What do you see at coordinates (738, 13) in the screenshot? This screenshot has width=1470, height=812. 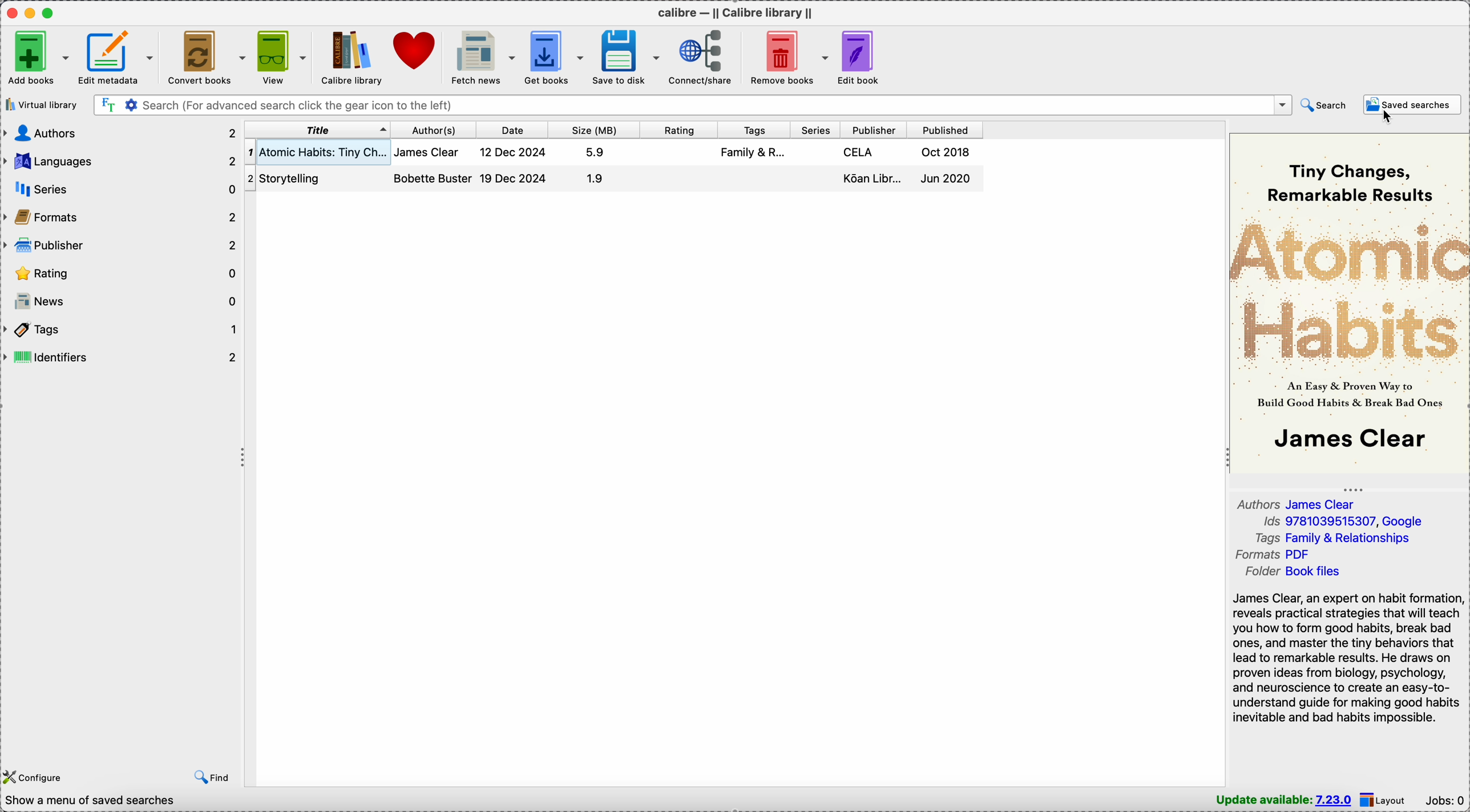 I see `calibre-|| calibre ||` at bounding box center [738, 13].